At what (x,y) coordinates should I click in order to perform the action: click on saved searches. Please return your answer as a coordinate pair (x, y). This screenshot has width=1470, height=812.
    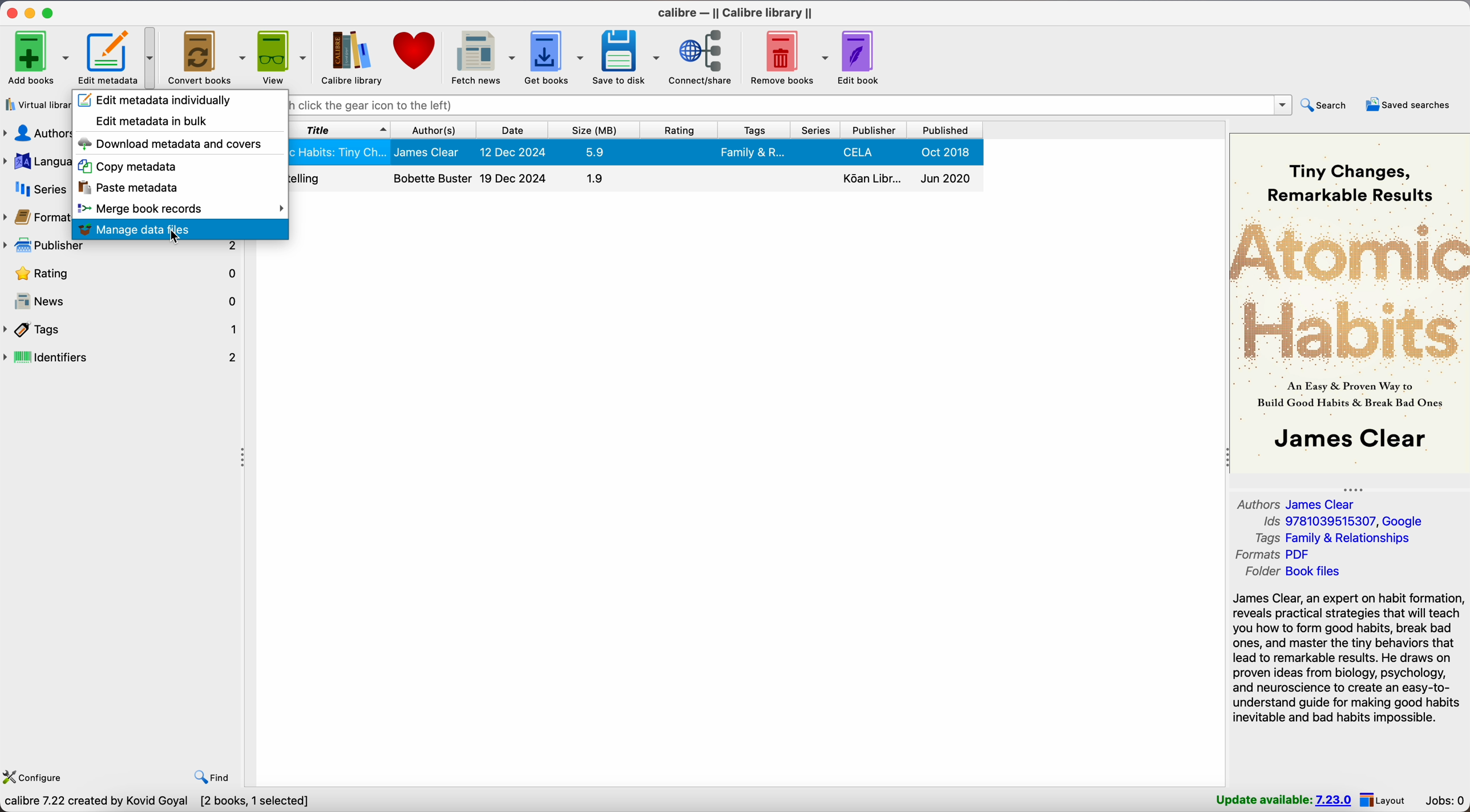
    Looking at the image, I should click on (1410, 105).